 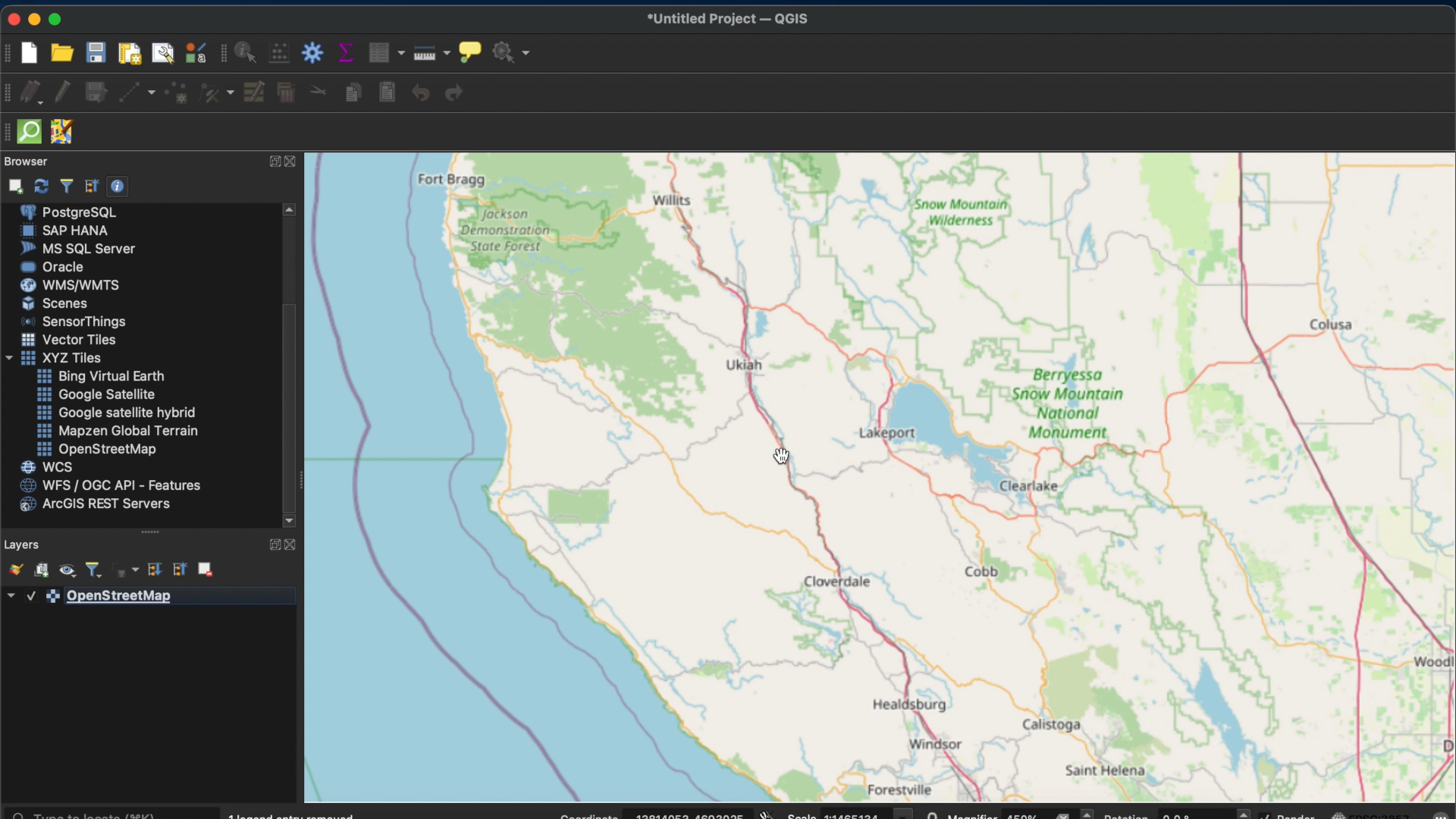 What do you see at coordinates (67, 572) in the screenshot?
I see `open map themes` at bounding box center [67, 572].